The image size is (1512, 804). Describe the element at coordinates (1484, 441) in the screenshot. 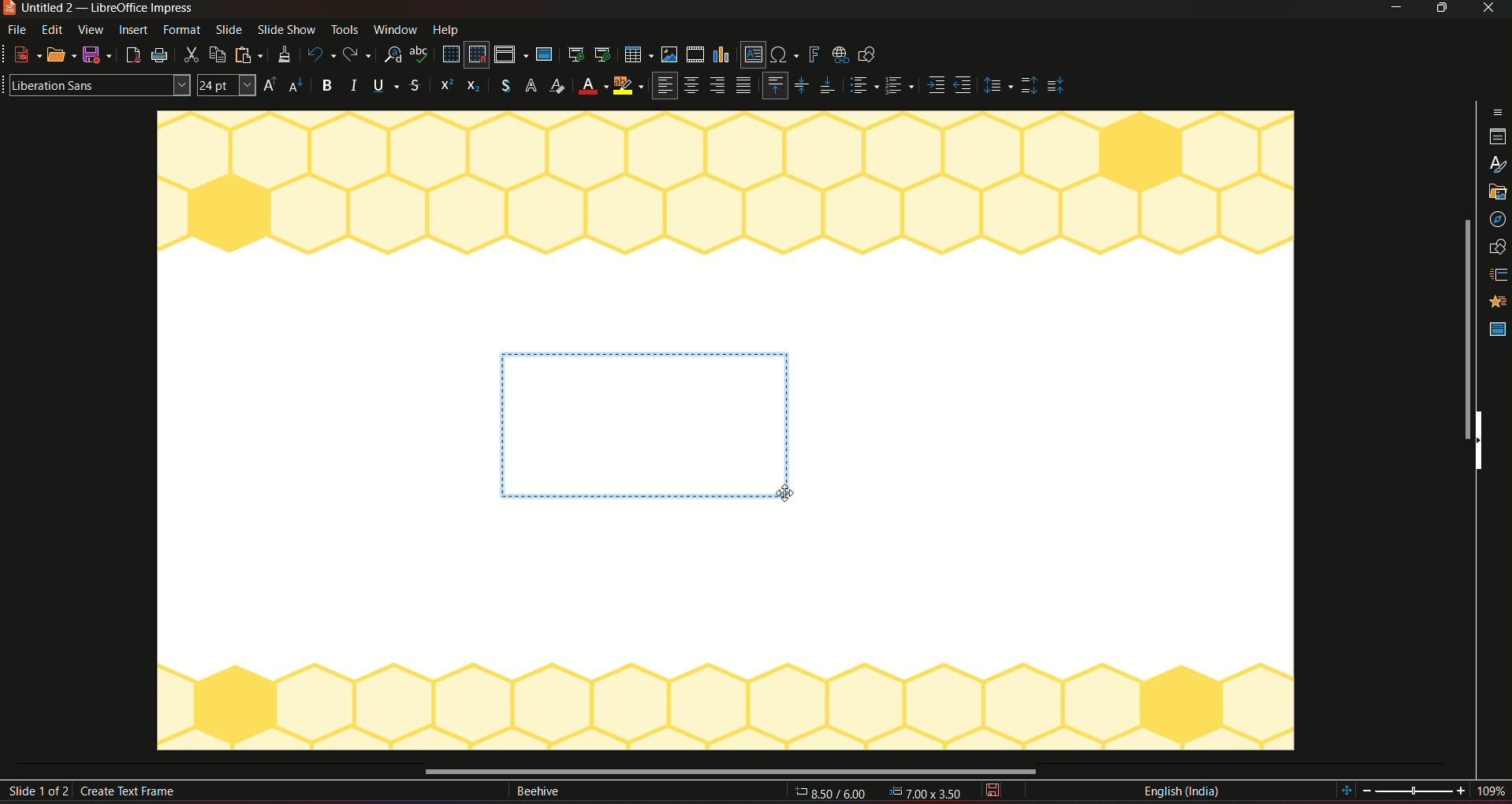

I see `hide sidebar` at that location.